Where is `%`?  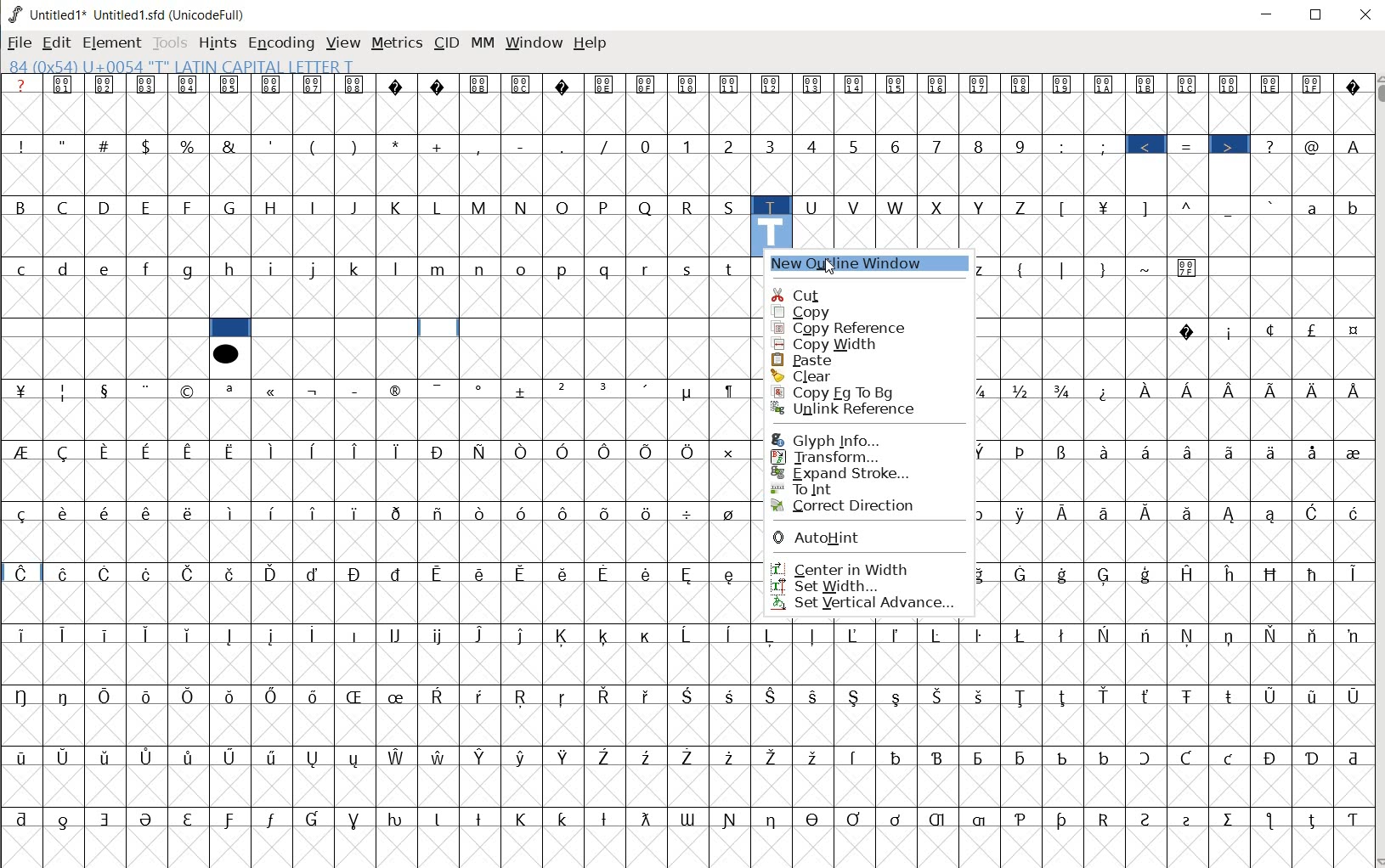 % is located at coordinates (189, 145).